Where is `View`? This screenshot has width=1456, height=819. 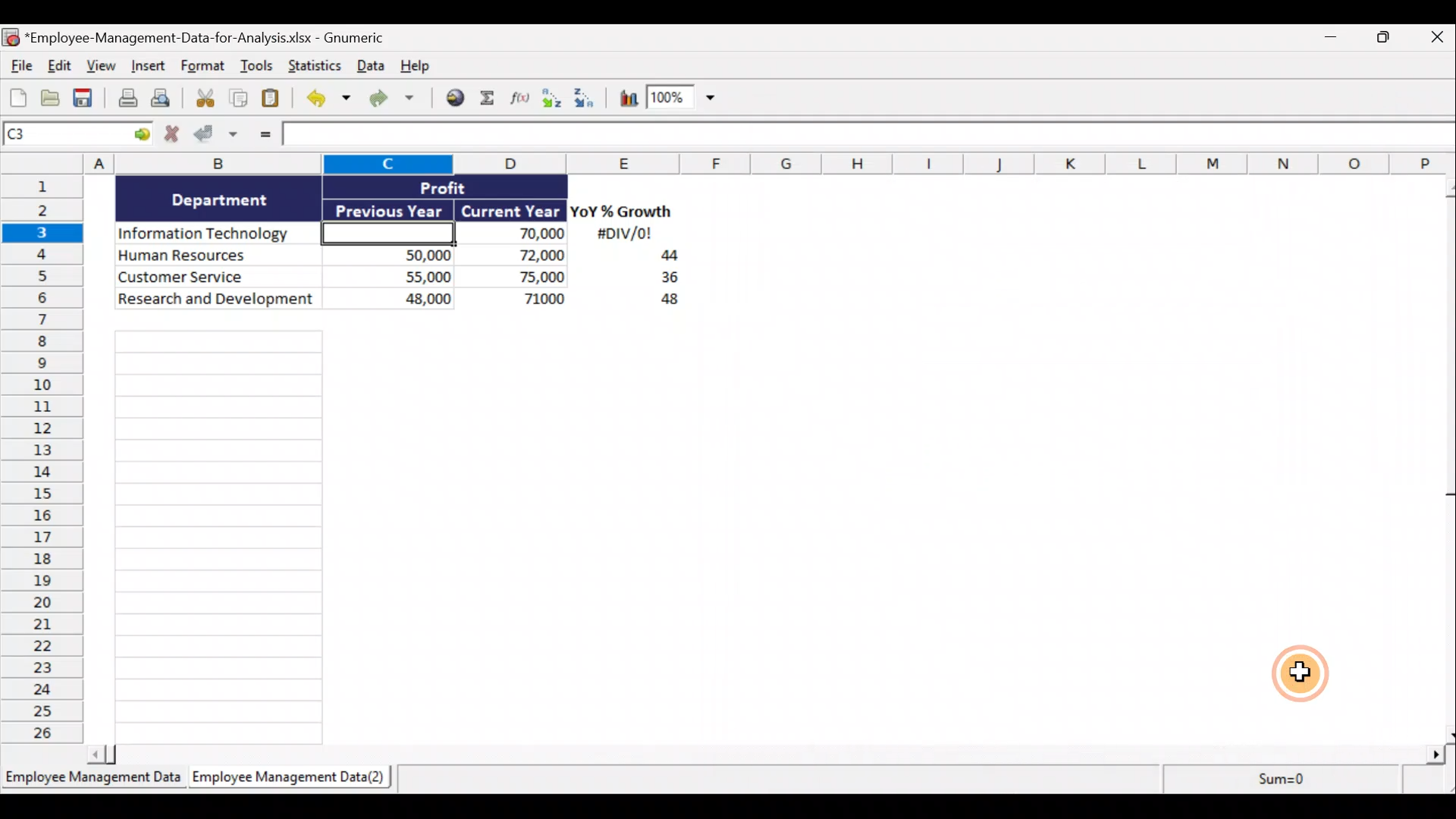 View is located at coordinates (103, 67).